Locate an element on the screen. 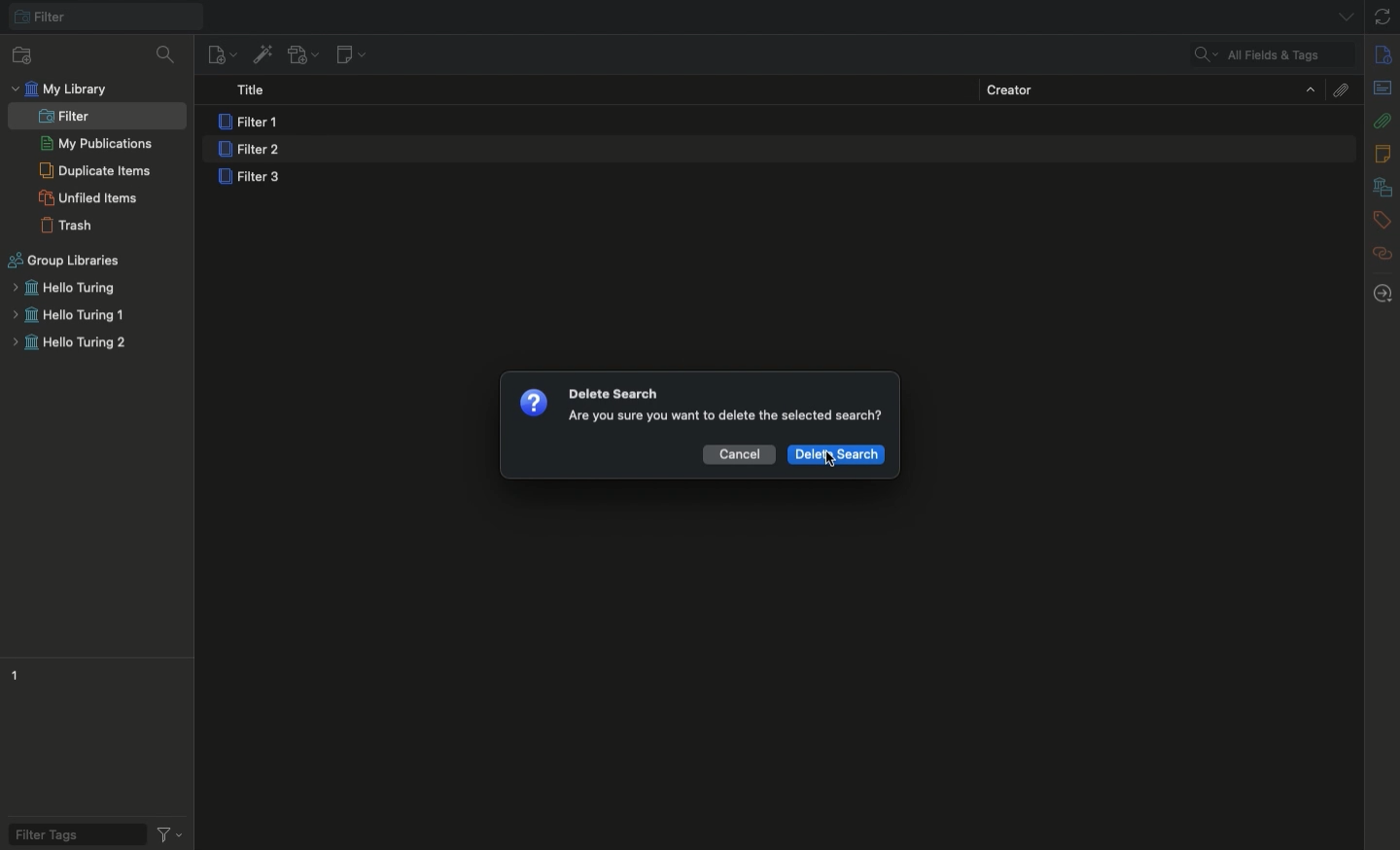  List all tabs is located at coordinates (1339, 16).